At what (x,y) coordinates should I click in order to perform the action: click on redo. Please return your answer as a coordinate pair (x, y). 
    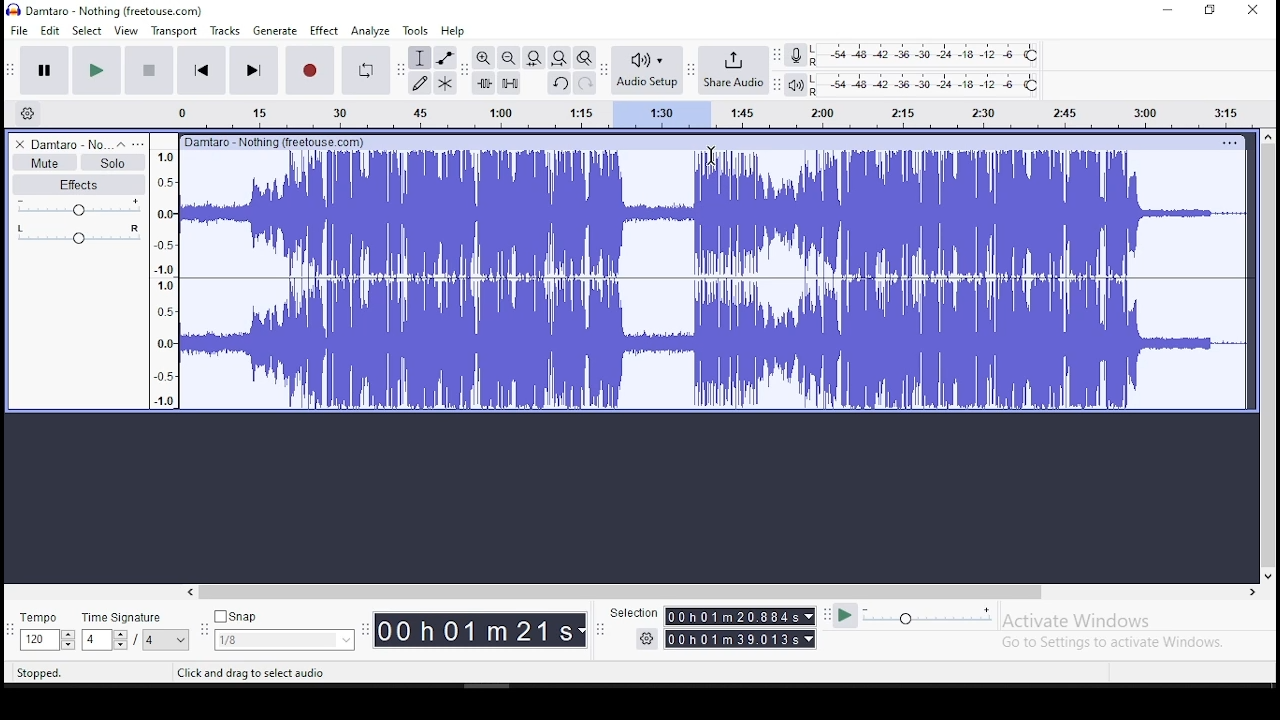
    Looking at the image, I should click on (585, 82).